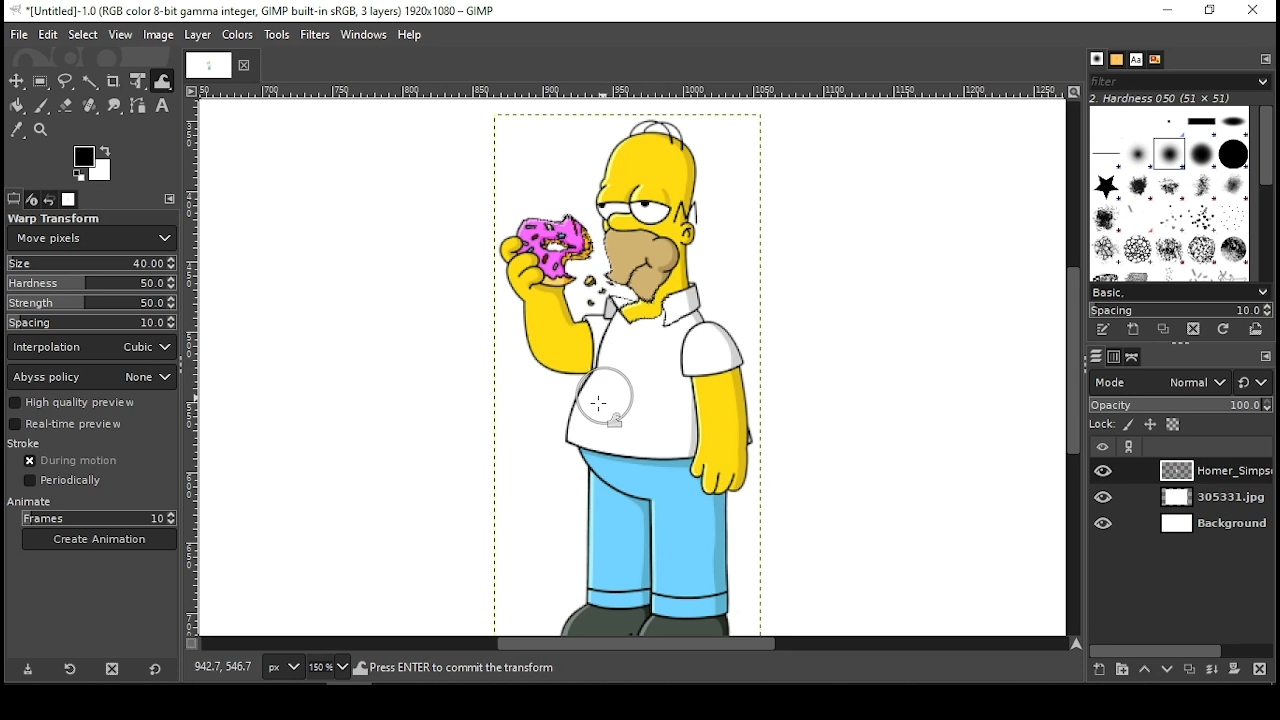 This screenshot has height=720, width=1280. I want to click on paint brush tool, so click(44, 104).